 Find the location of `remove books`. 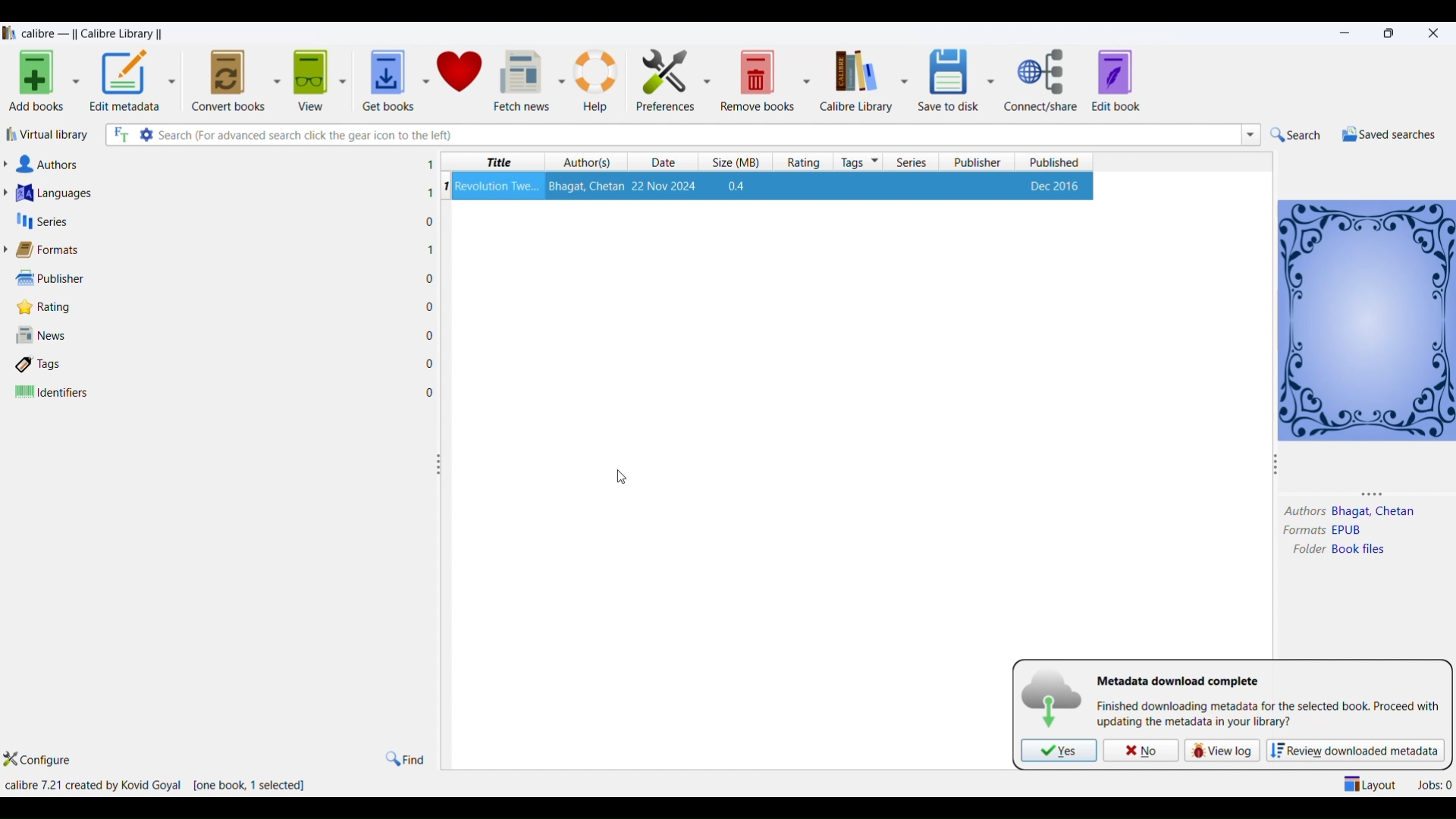

remove books is located at coordinates (758, 79).